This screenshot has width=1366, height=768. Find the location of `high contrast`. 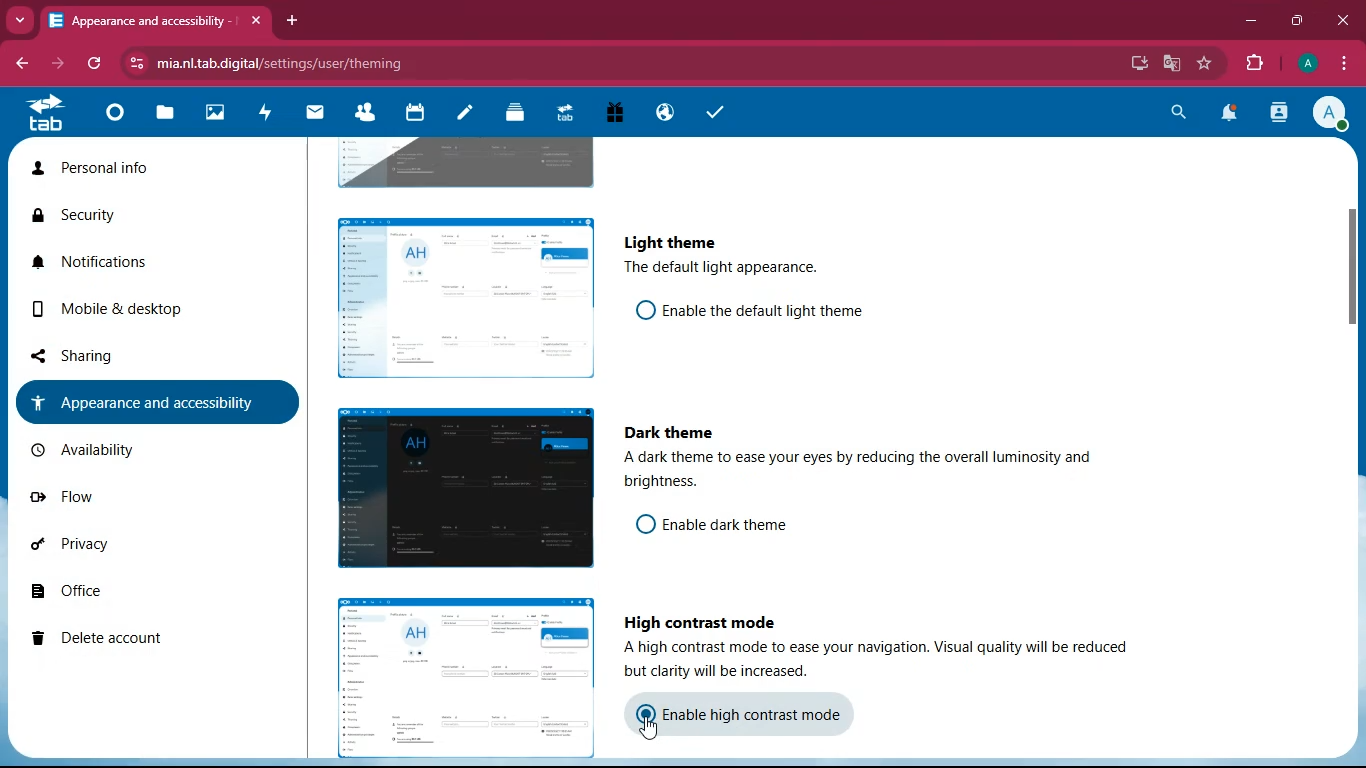

high contrast is located at coordinates (701, 619).